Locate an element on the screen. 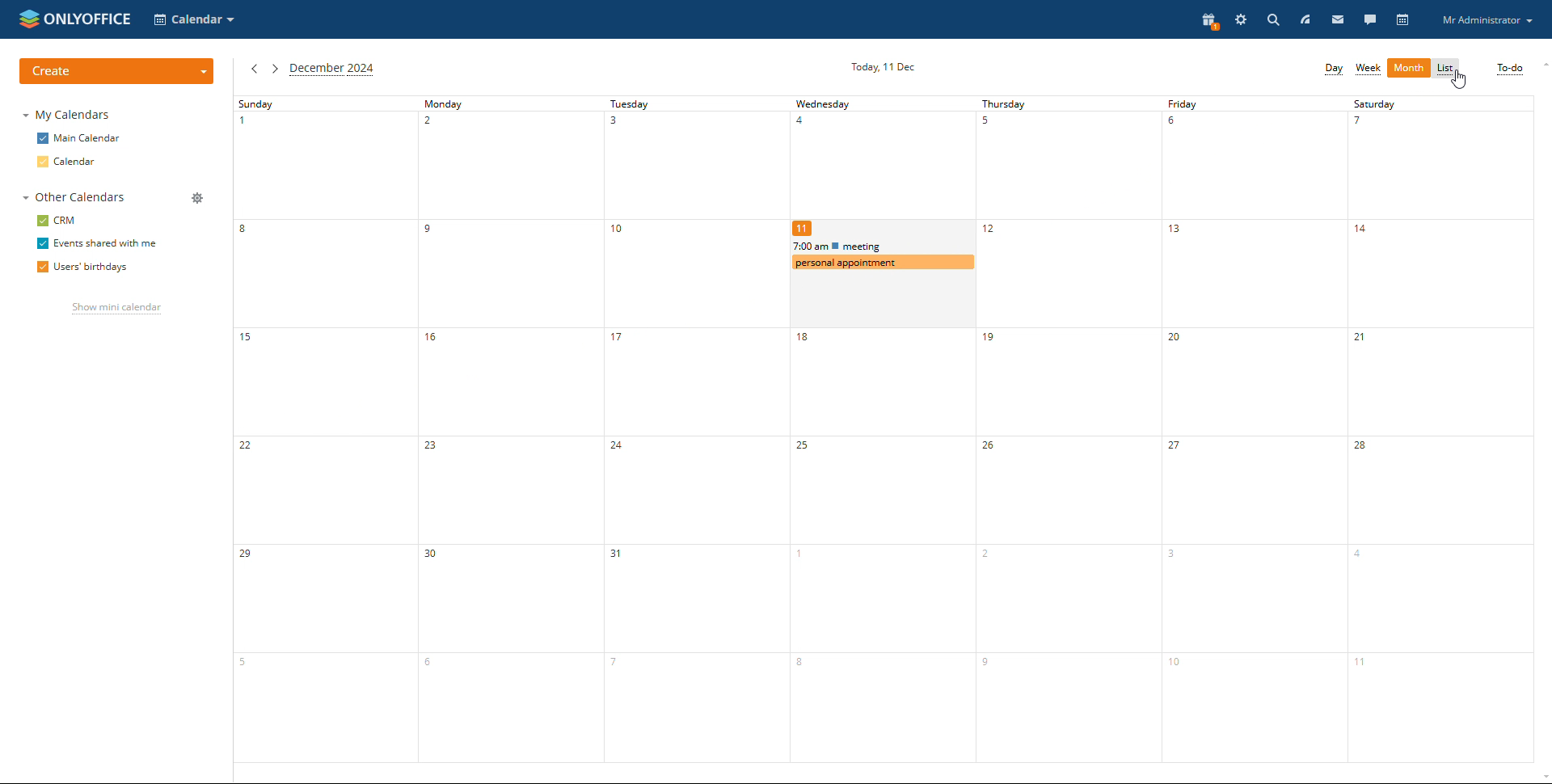  events shared with me is located at coordinates (96, 244).